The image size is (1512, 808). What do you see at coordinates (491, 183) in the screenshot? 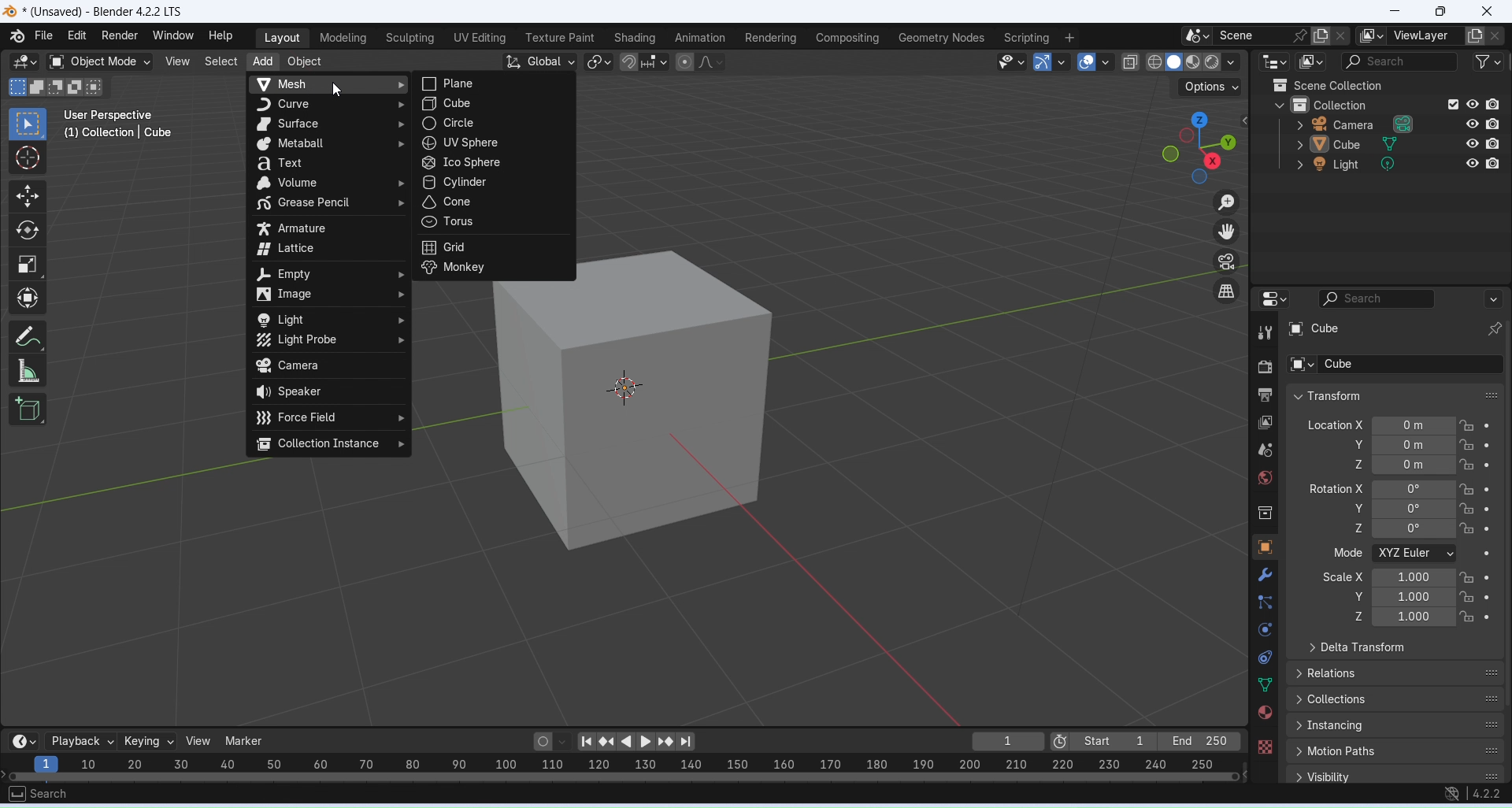
I see `cylinder` at bounding box center [491, 183].